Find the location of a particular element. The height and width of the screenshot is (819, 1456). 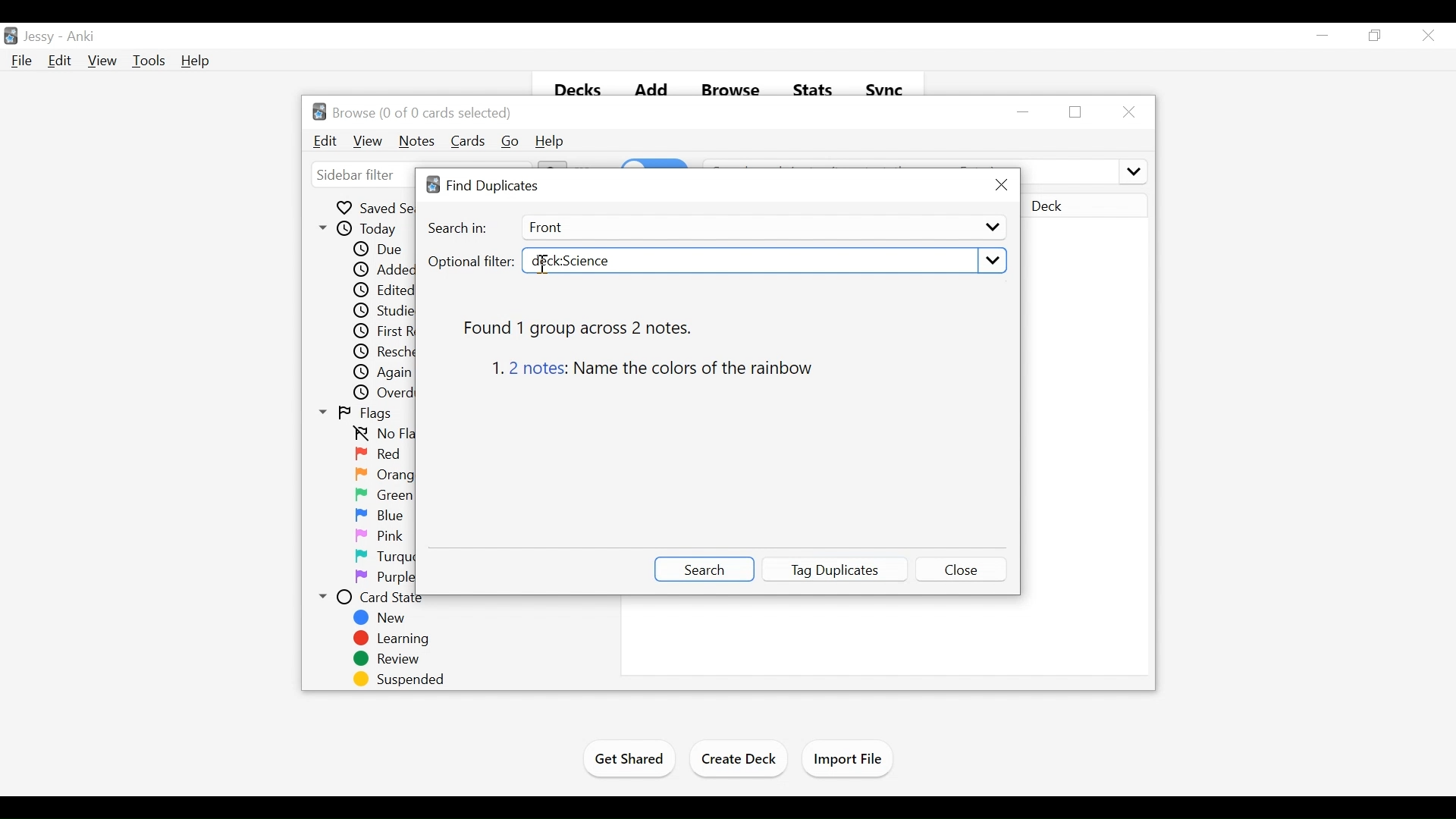

Stats is located at coordinates (811, 86).